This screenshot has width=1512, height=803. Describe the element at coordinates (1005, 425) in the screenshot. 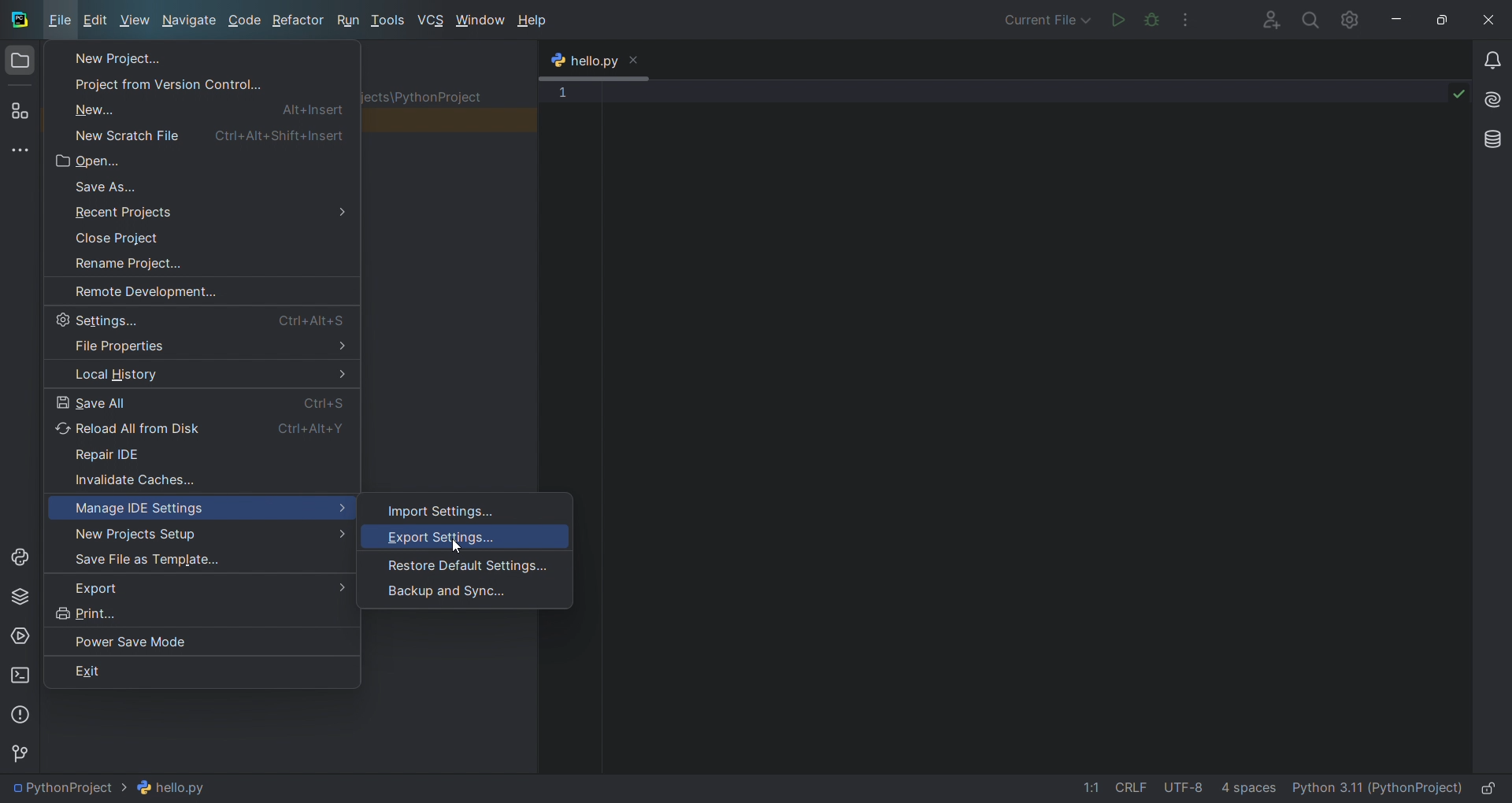

I see `code editor` at that location.